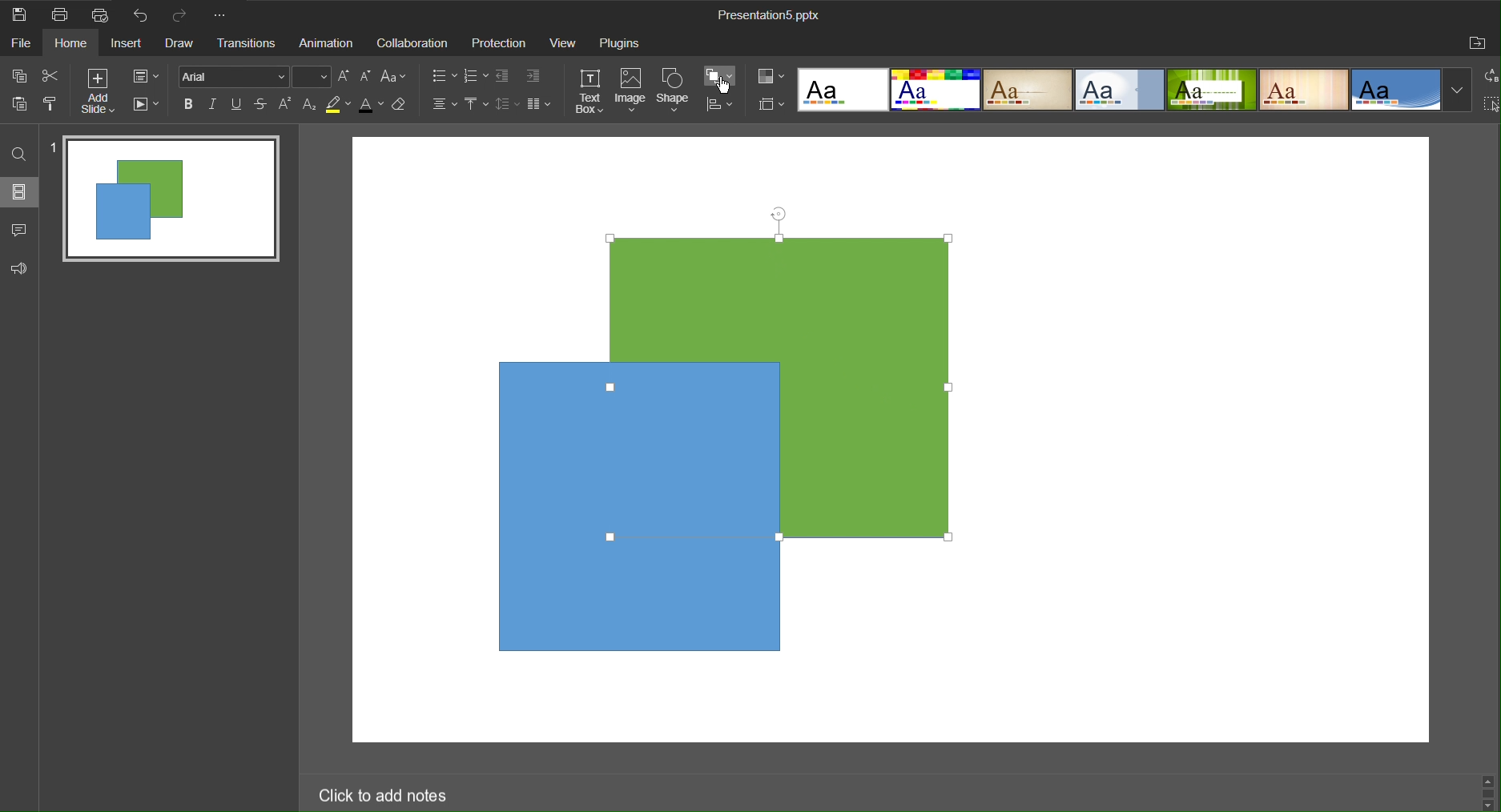 Image resolution: width=1501 pixels, height=812 pixels. What do you see at coordinates (225, 16) in the screenshot?
I see `More` at bounding box center [225, 16].